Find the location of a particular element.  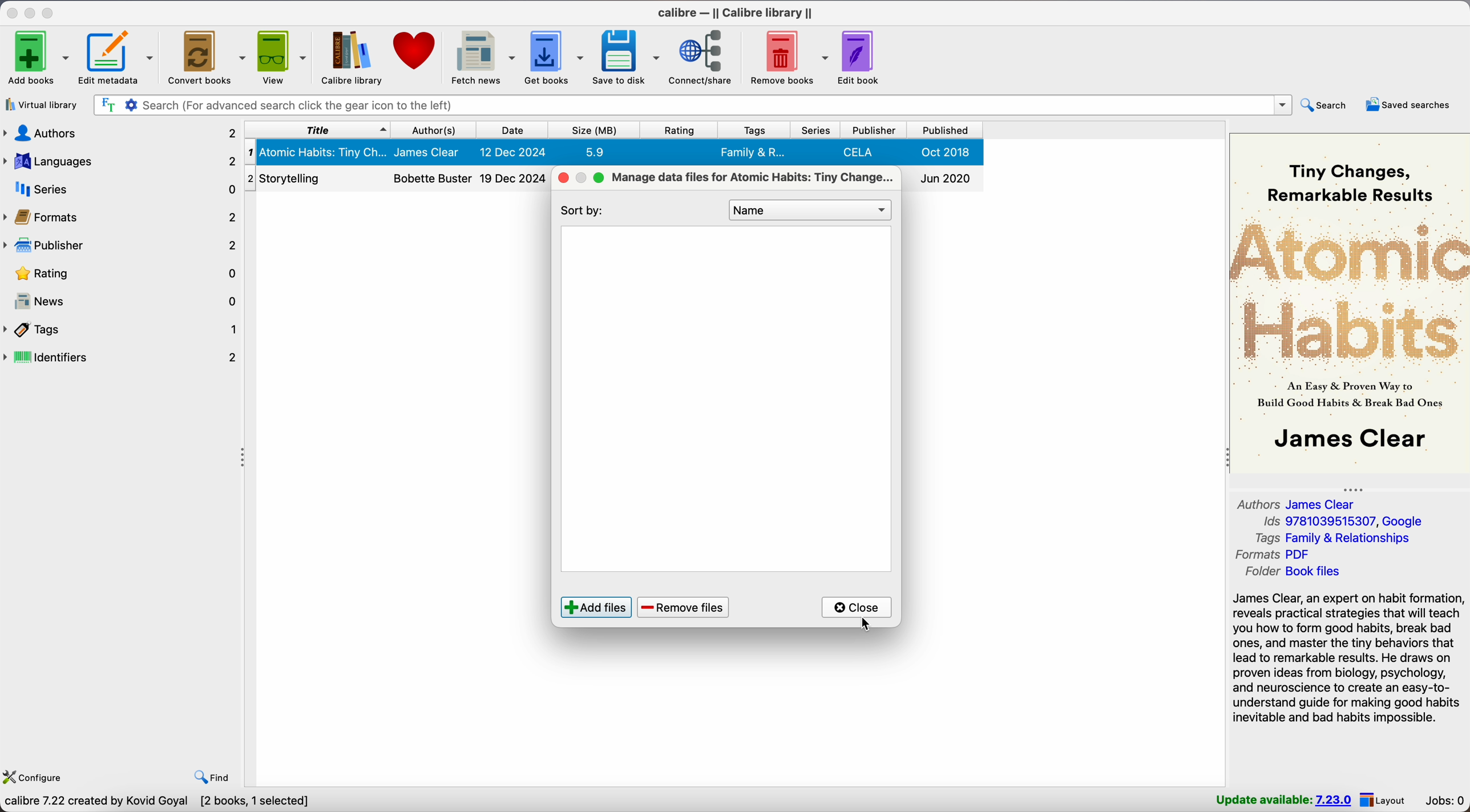

Jun 2020 is located at coordinates (943, 179).